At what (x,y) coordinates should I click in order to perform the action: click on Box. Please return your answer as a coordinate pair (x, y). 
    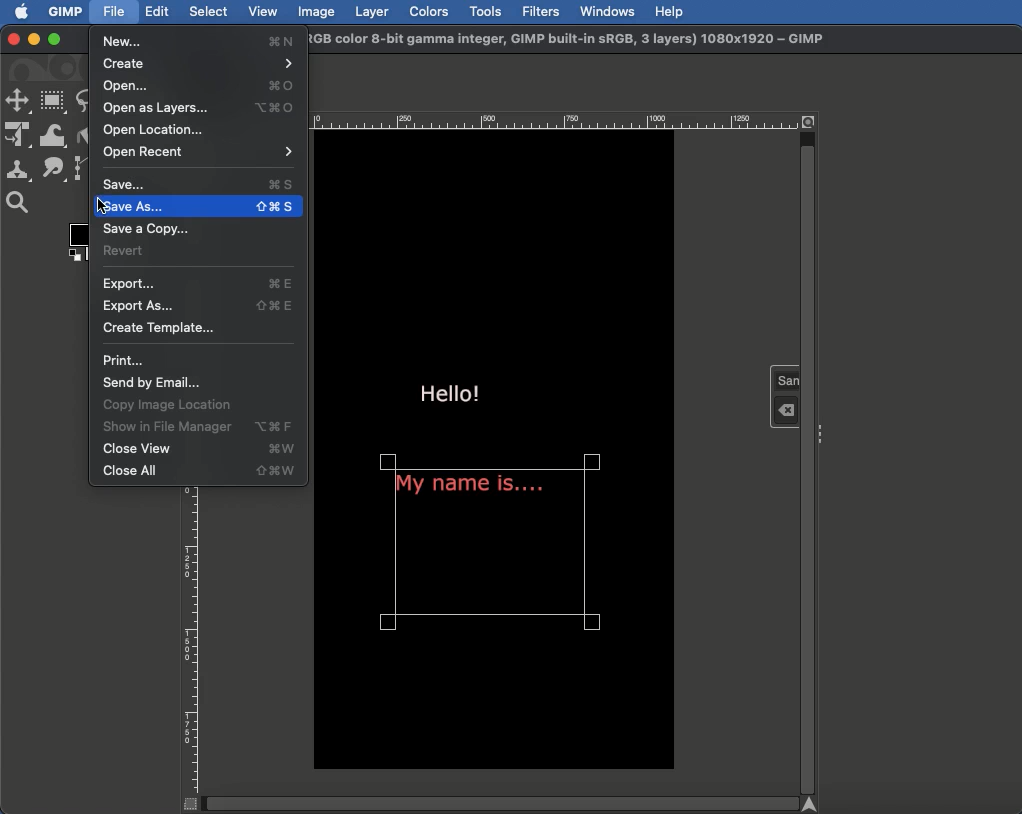
    Looking at the image, I should click on (76, 245).